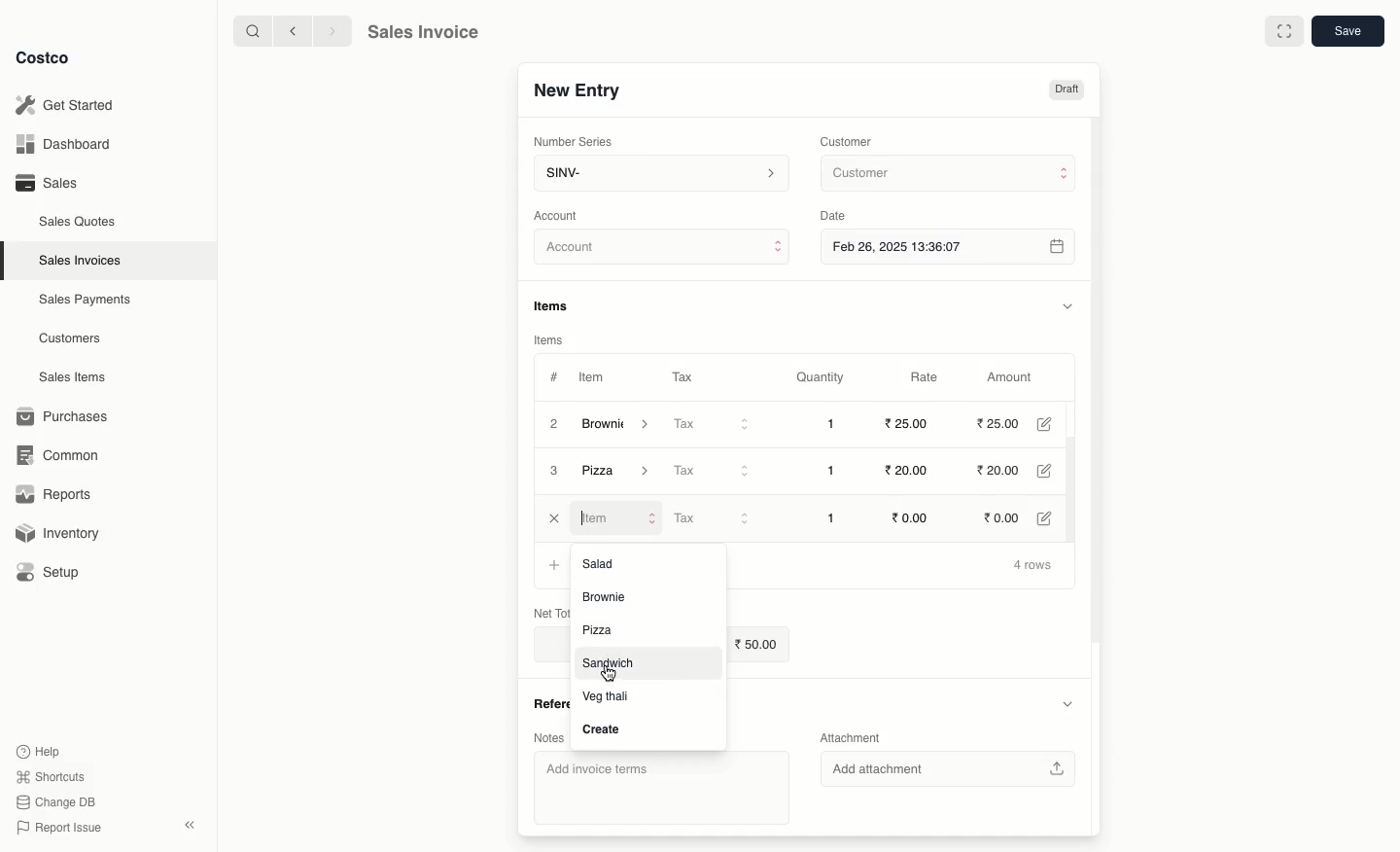 This screenshot has height=852, width=1400. What do you see at coordinates (55, 572) in the screenshot?
I see `Setup` at bounding box center [55, 572].